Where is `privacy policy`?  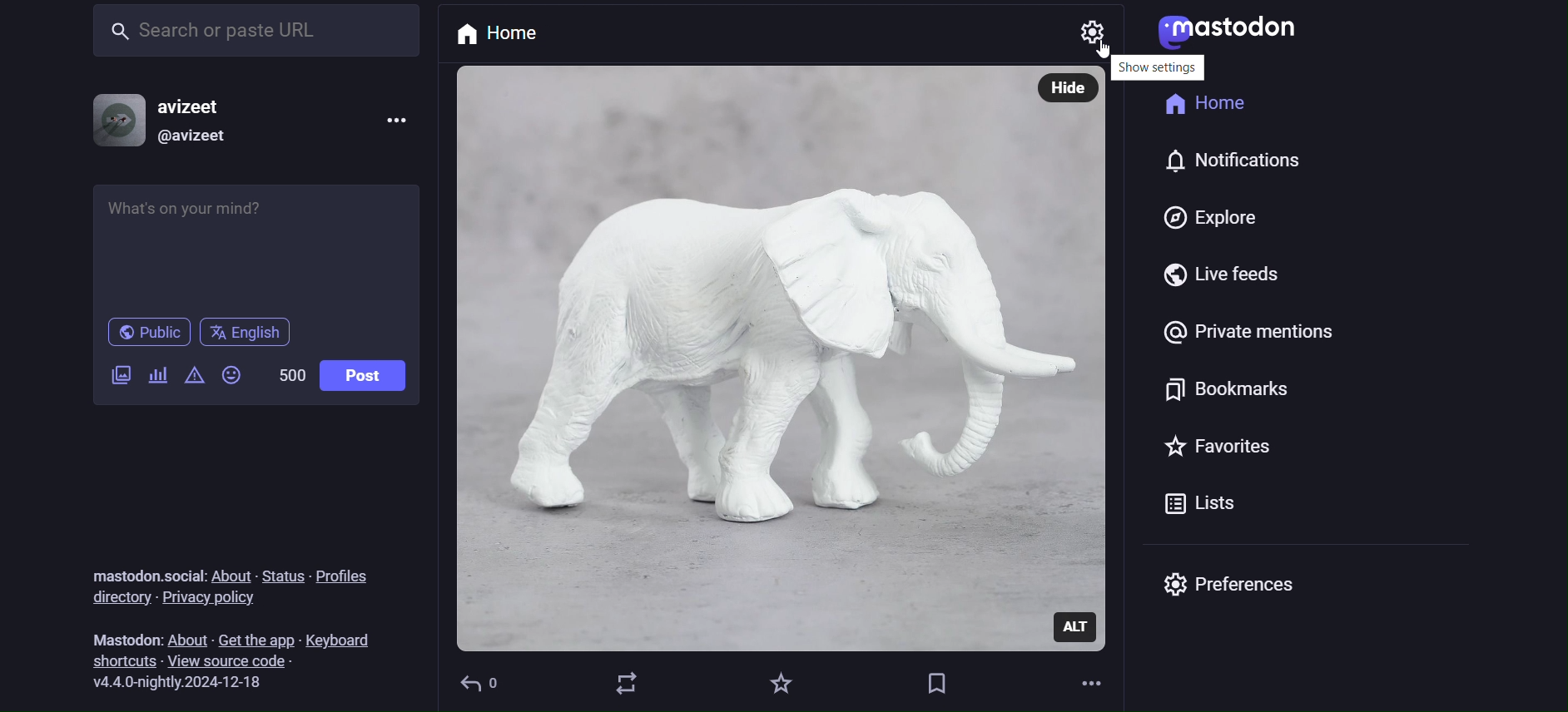 privacy policy is located at coordinates (216, 600).